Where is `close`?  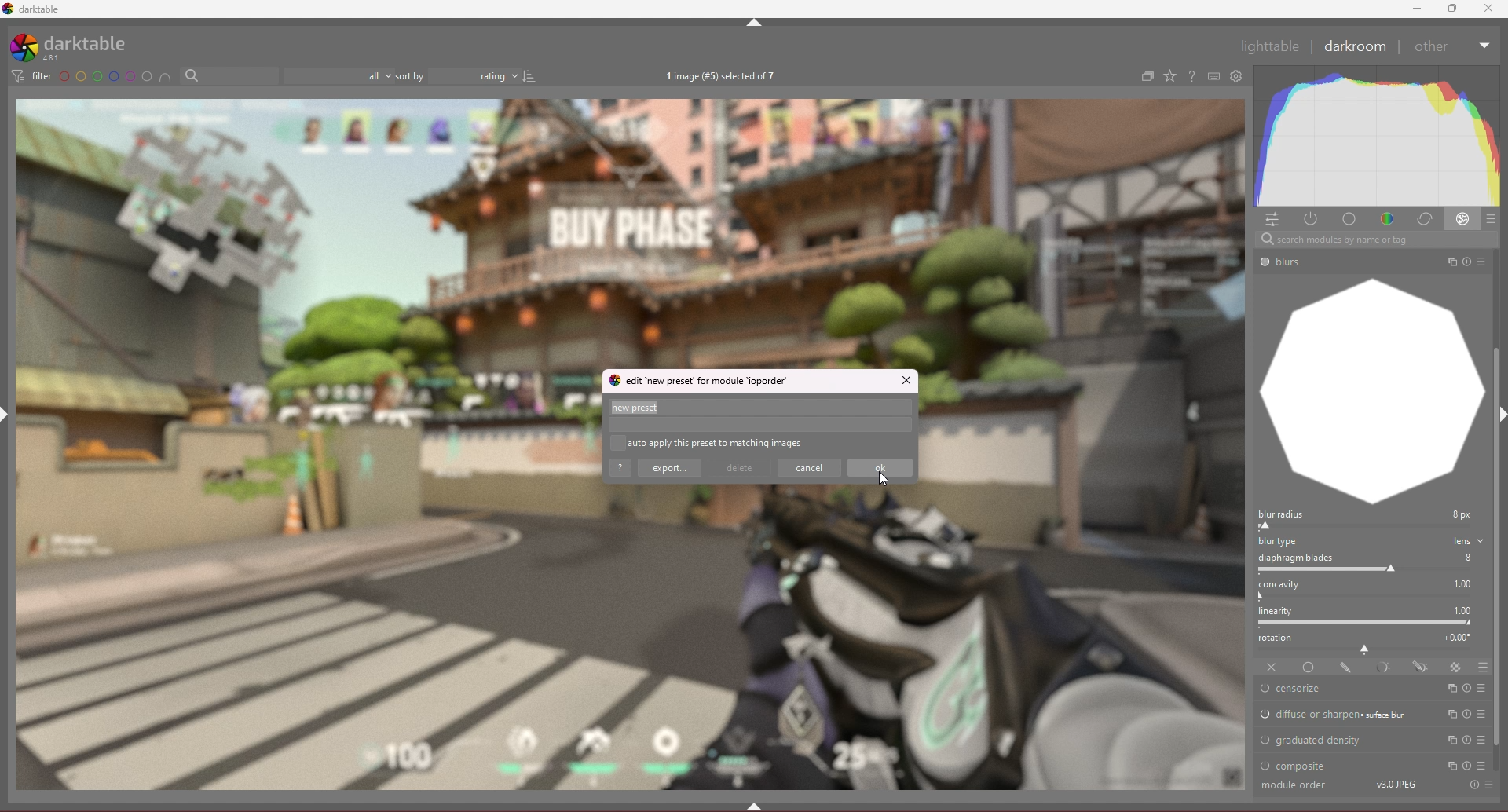 close is located at coordinates (906, 379).